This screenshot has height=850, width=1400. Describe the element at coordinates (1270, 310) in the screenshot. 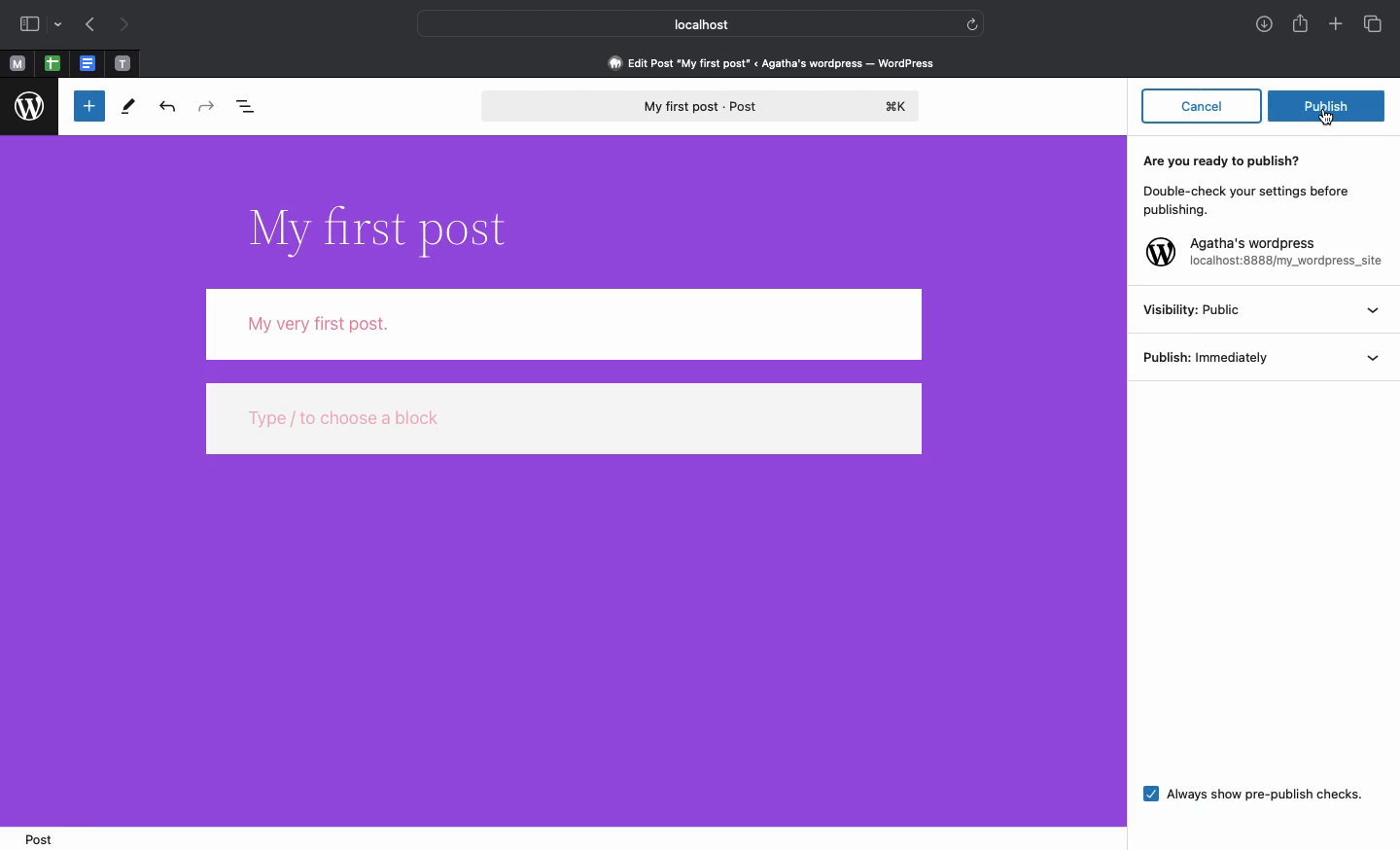

I see `Visibility: Public` at that location.